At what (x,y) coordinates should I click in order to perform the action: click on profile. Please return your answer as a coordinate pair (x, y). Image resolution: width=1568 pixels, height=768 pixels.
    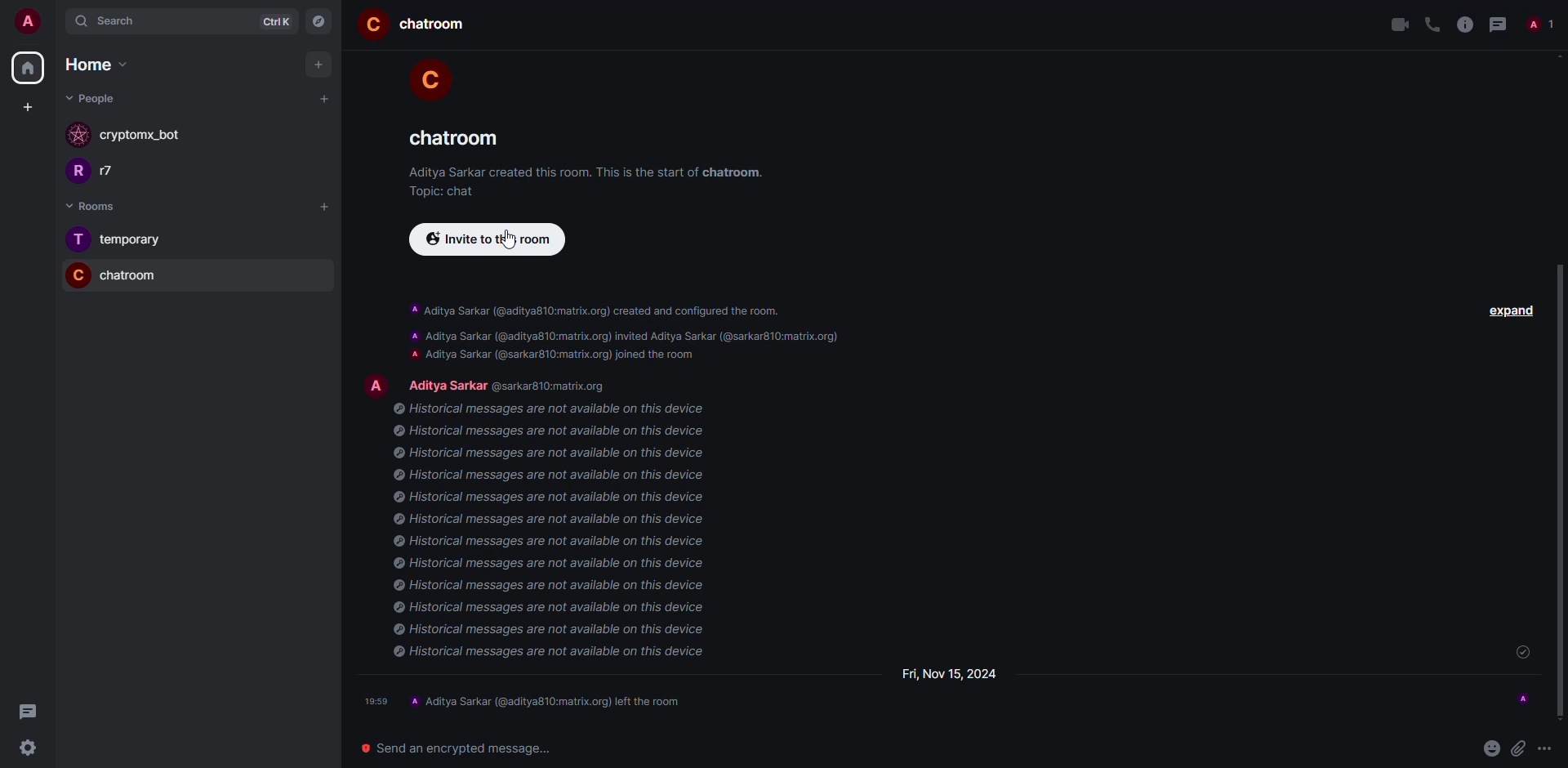
    Looking at the image, I should click on (74, 173).